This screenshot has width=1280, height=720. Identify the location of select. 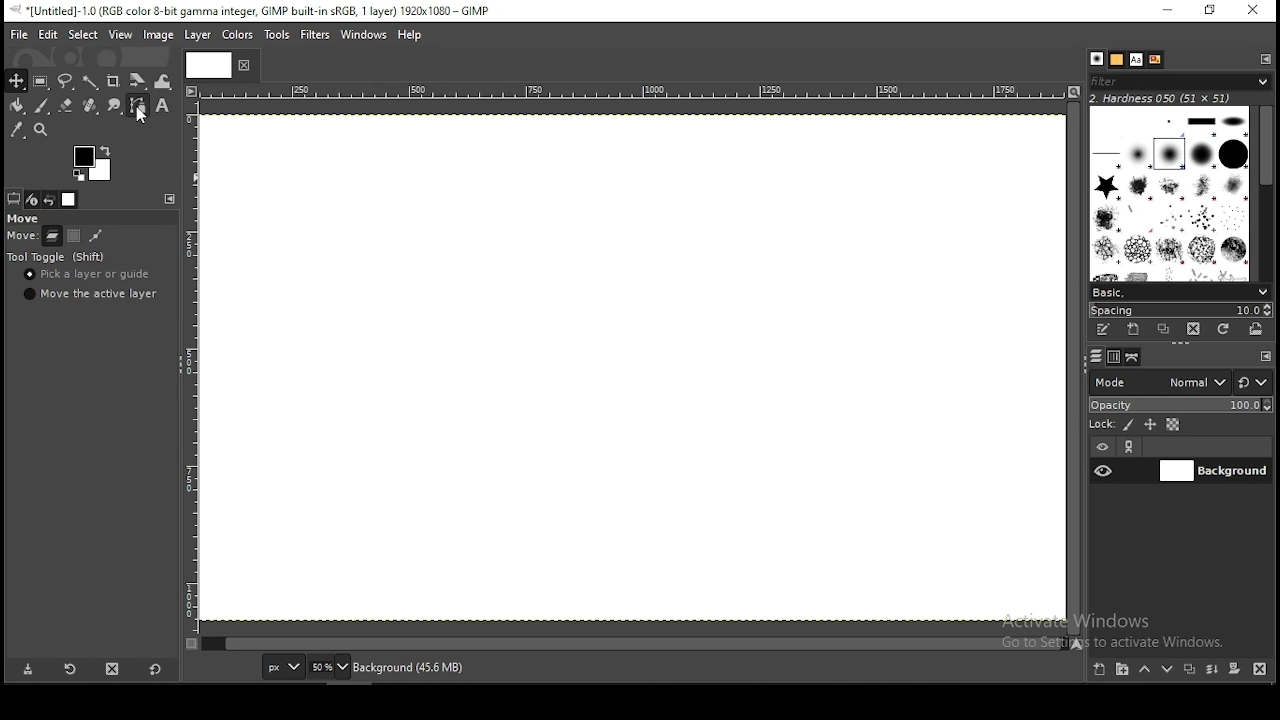
(82, 35).